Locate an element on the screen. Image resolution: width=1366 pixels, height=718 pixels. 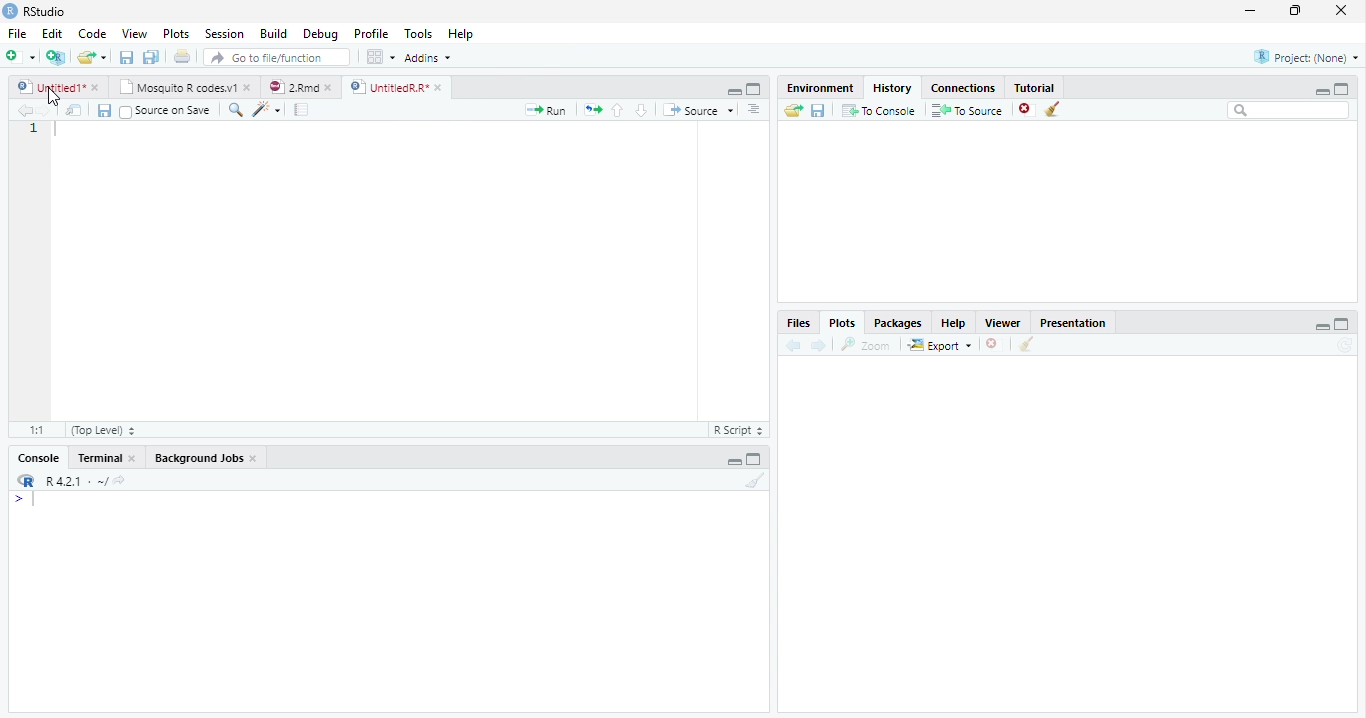
R is located at coordinates (26, 481).